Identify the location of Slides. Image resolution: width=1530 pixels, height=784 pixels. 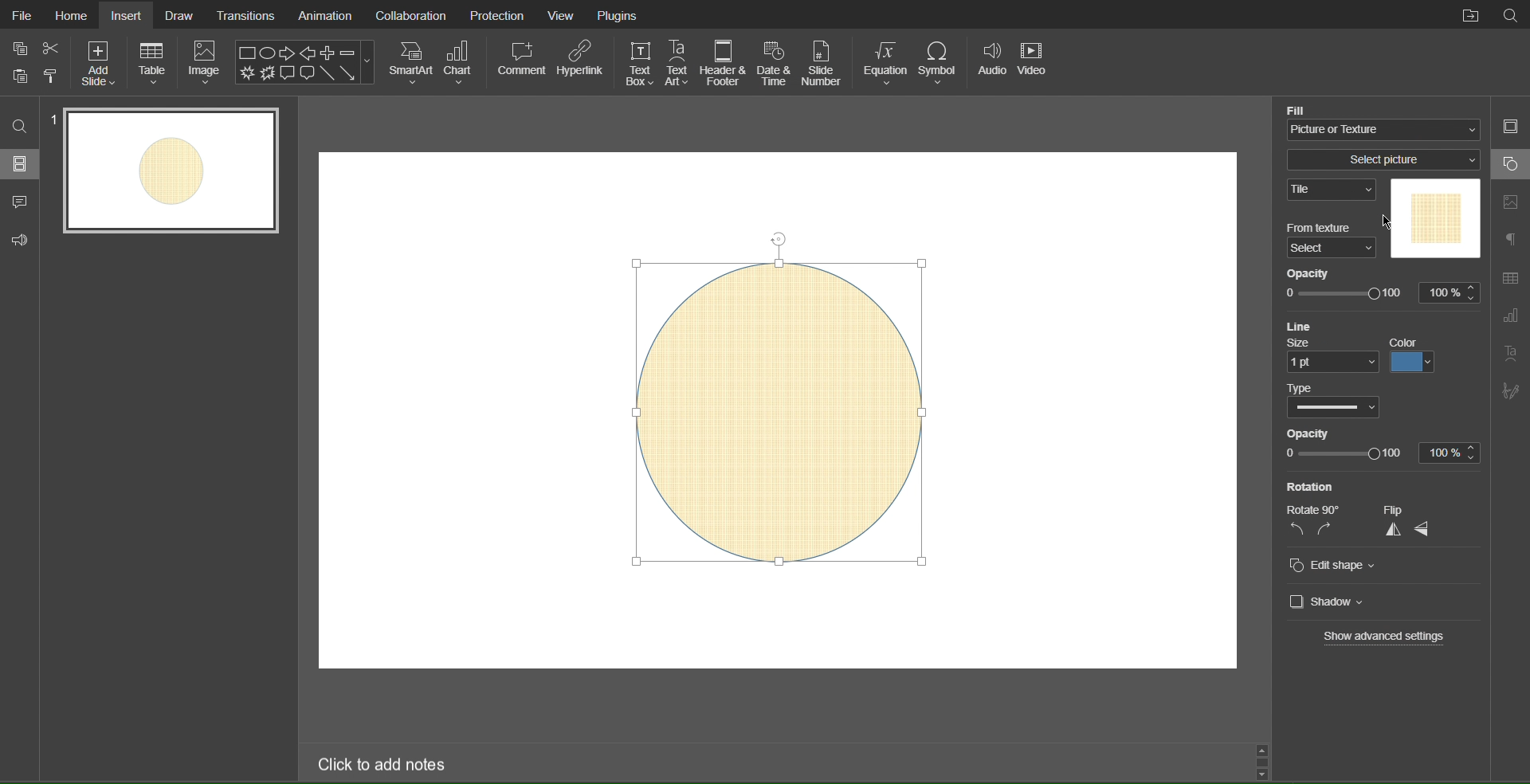
(19, 165).